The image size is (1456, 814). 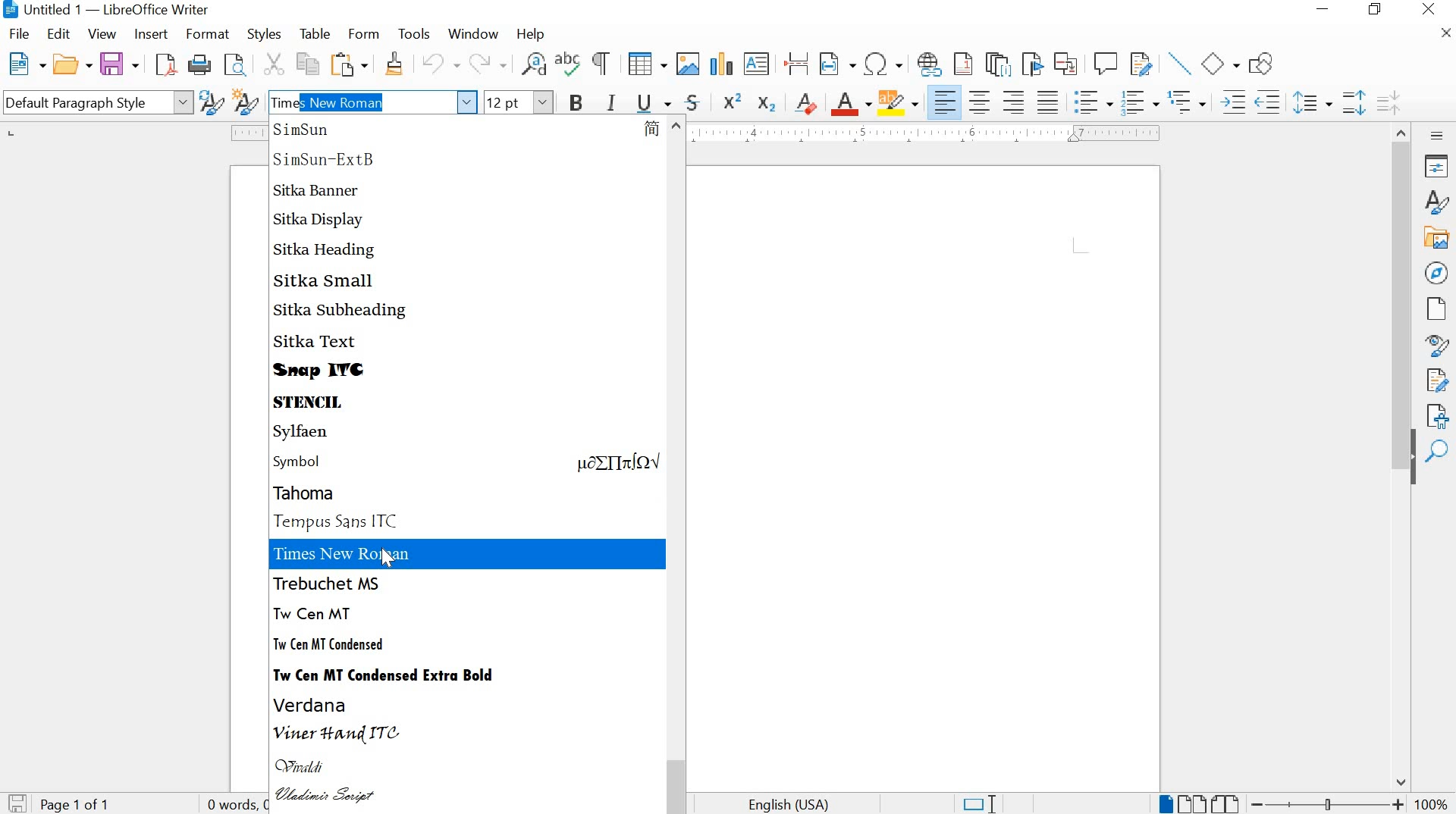 I want to click on INSERT HYPERLINK, so click(x=929, y=64).